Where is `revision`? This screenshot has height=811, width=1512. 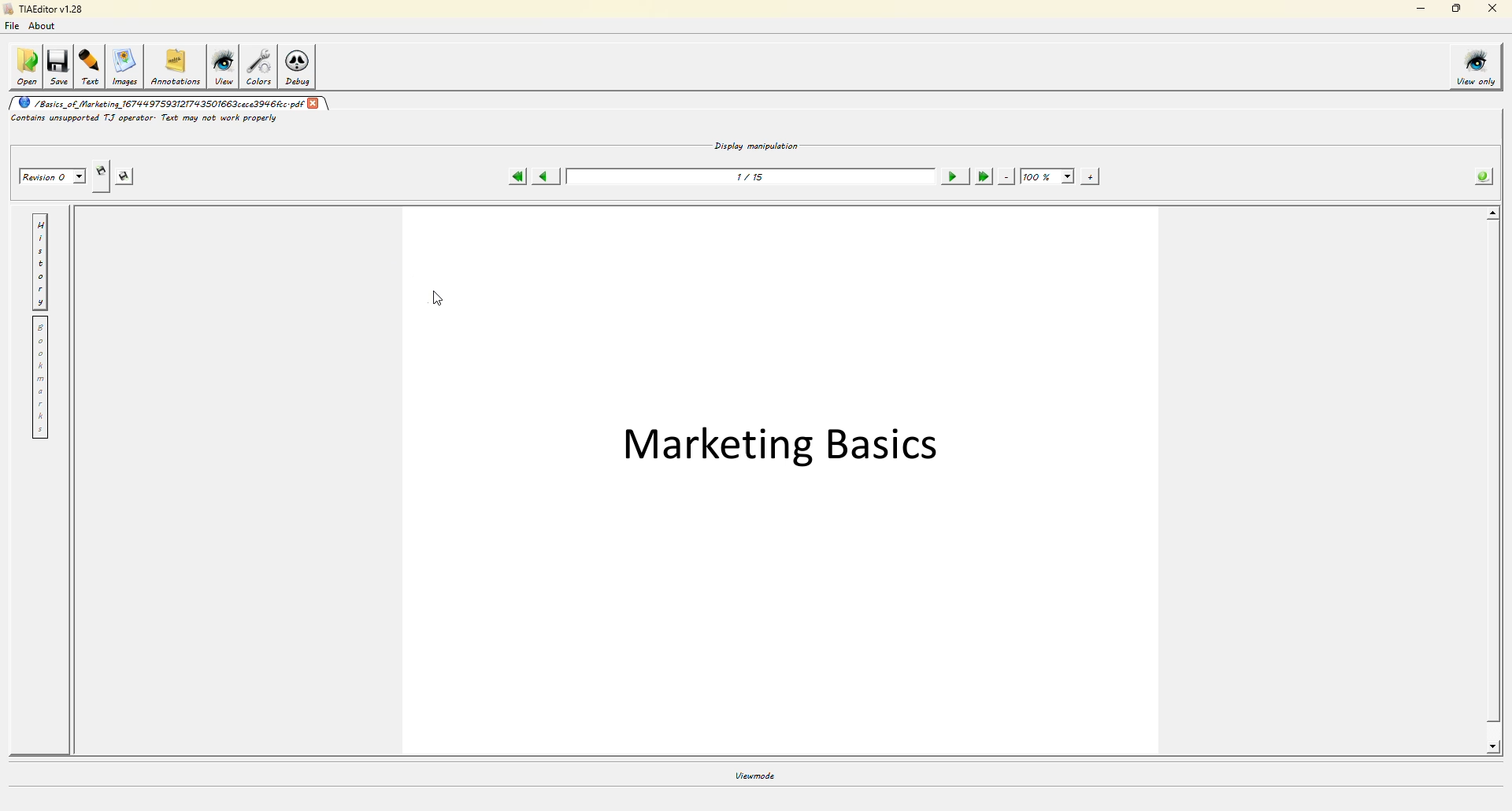 revision is located at coordinates (52, 176).